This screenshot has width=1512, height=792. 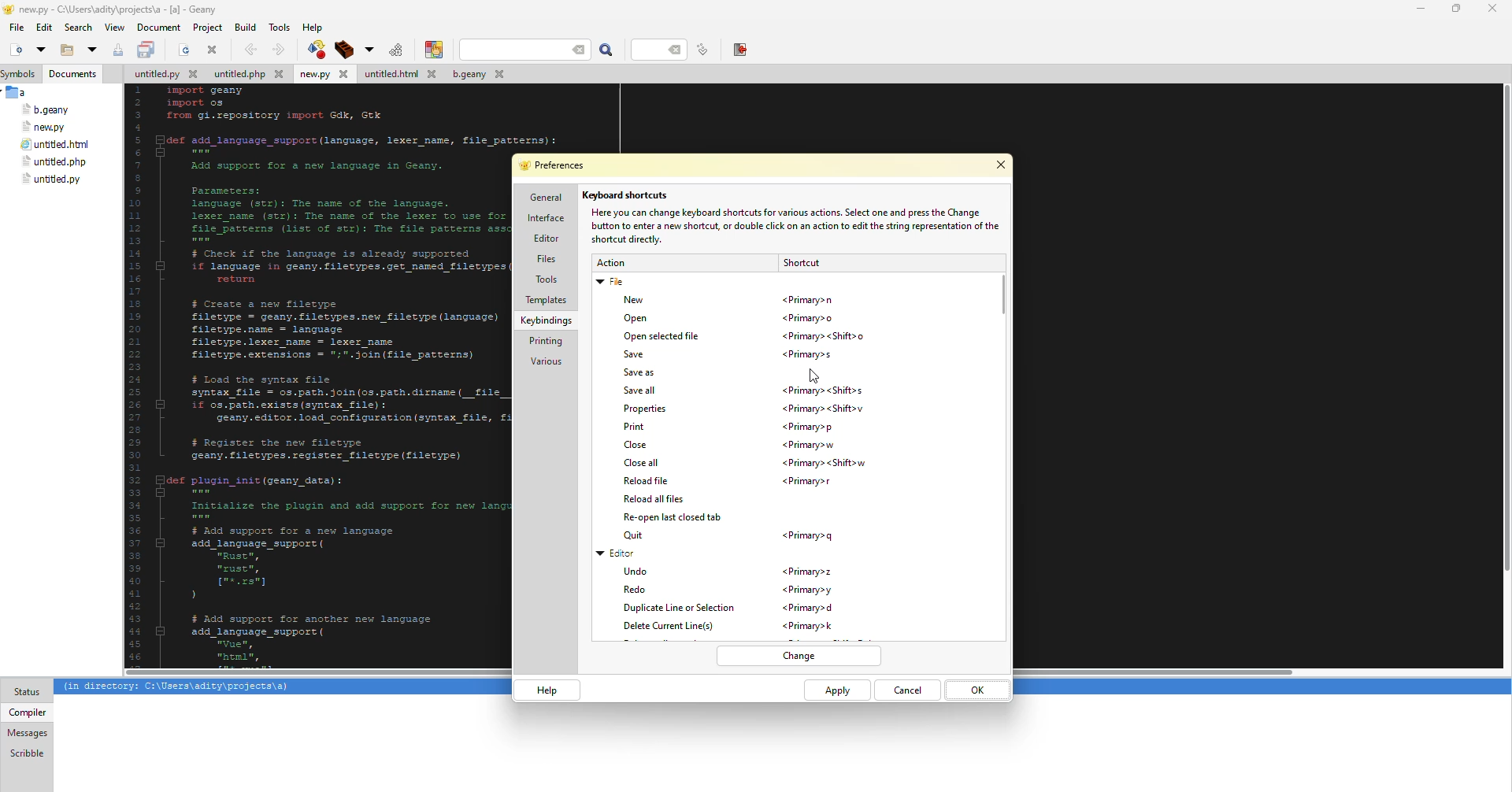 I want to click on info, so click(x=791, y=226).